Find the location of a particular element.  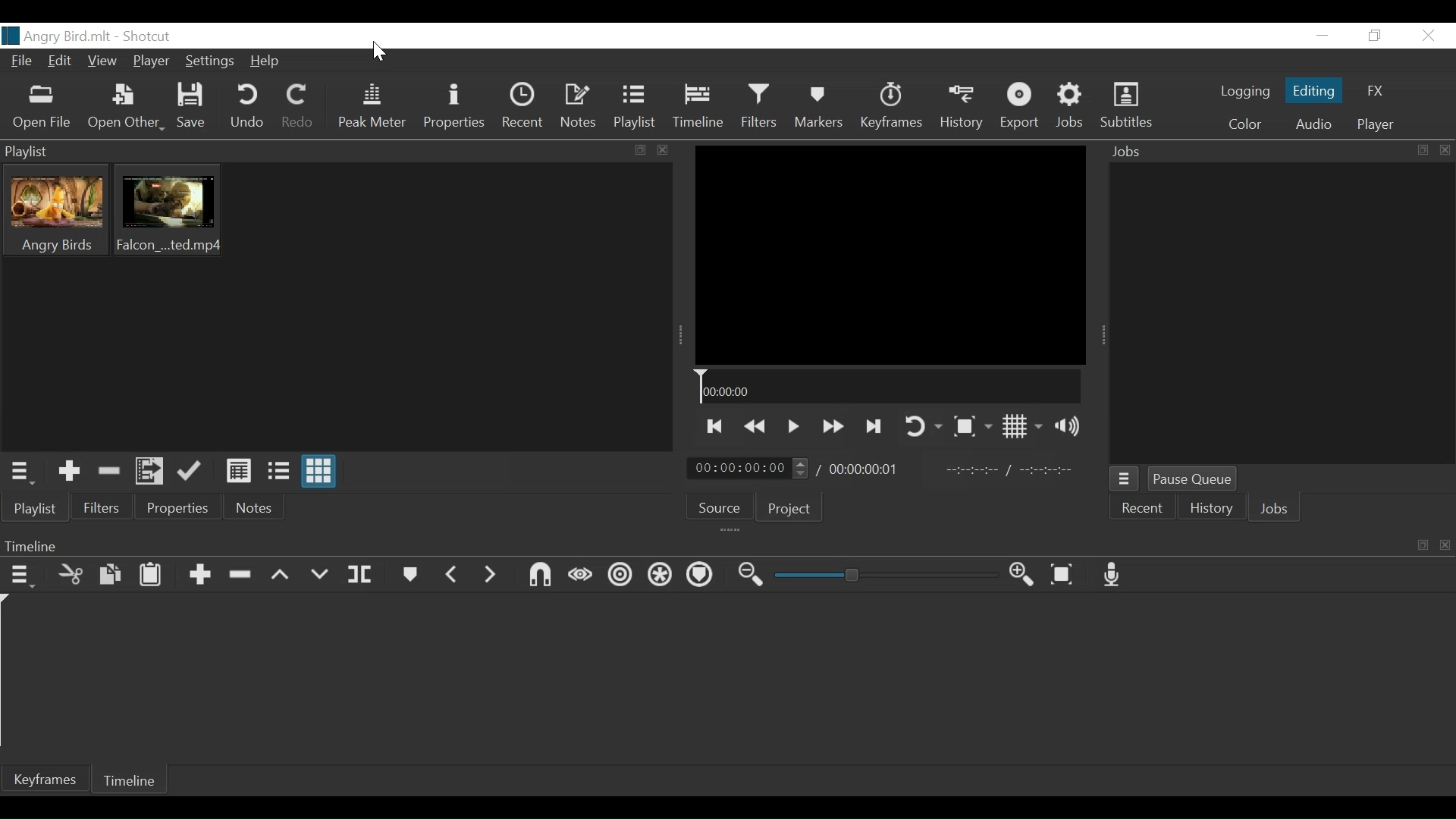

Clip is located at coordinates (170, 210).